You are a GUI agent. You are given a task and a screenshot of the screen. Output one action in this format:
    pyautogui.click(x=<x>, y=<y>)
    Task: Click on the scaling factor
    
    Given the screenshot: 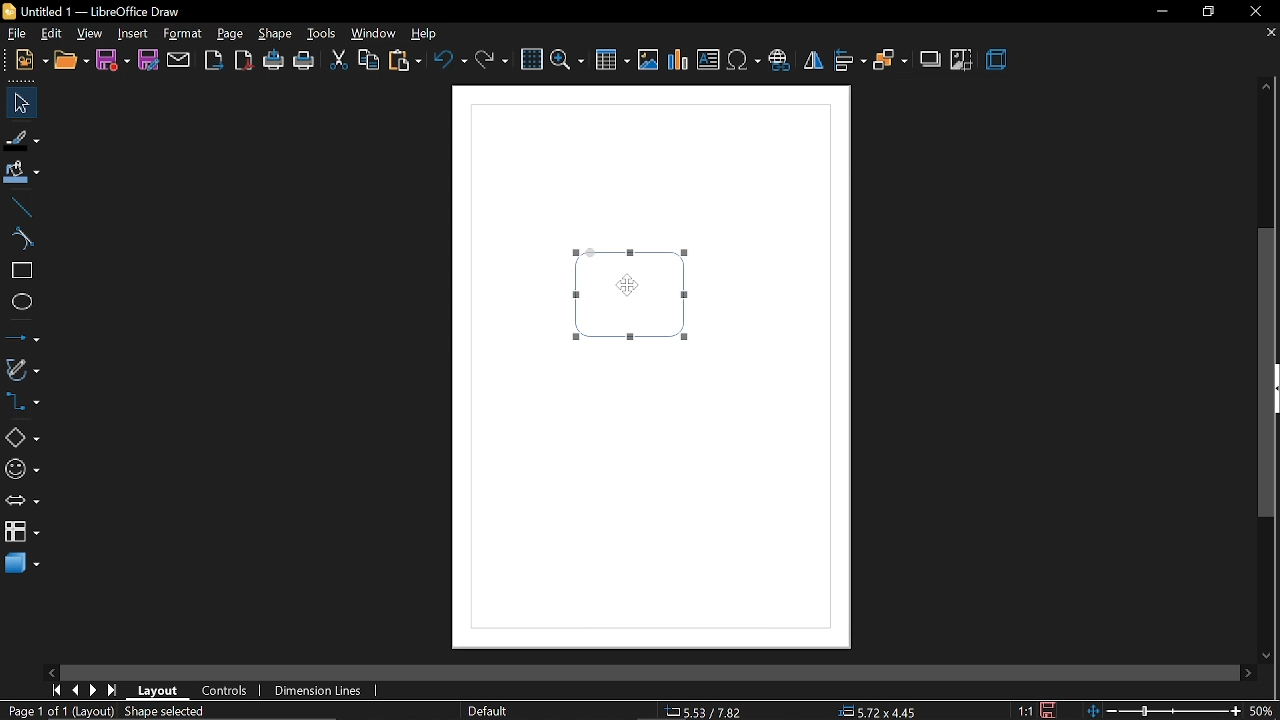 What is the action you would take?
    pyautogui.click(x=1026, y=710)
    